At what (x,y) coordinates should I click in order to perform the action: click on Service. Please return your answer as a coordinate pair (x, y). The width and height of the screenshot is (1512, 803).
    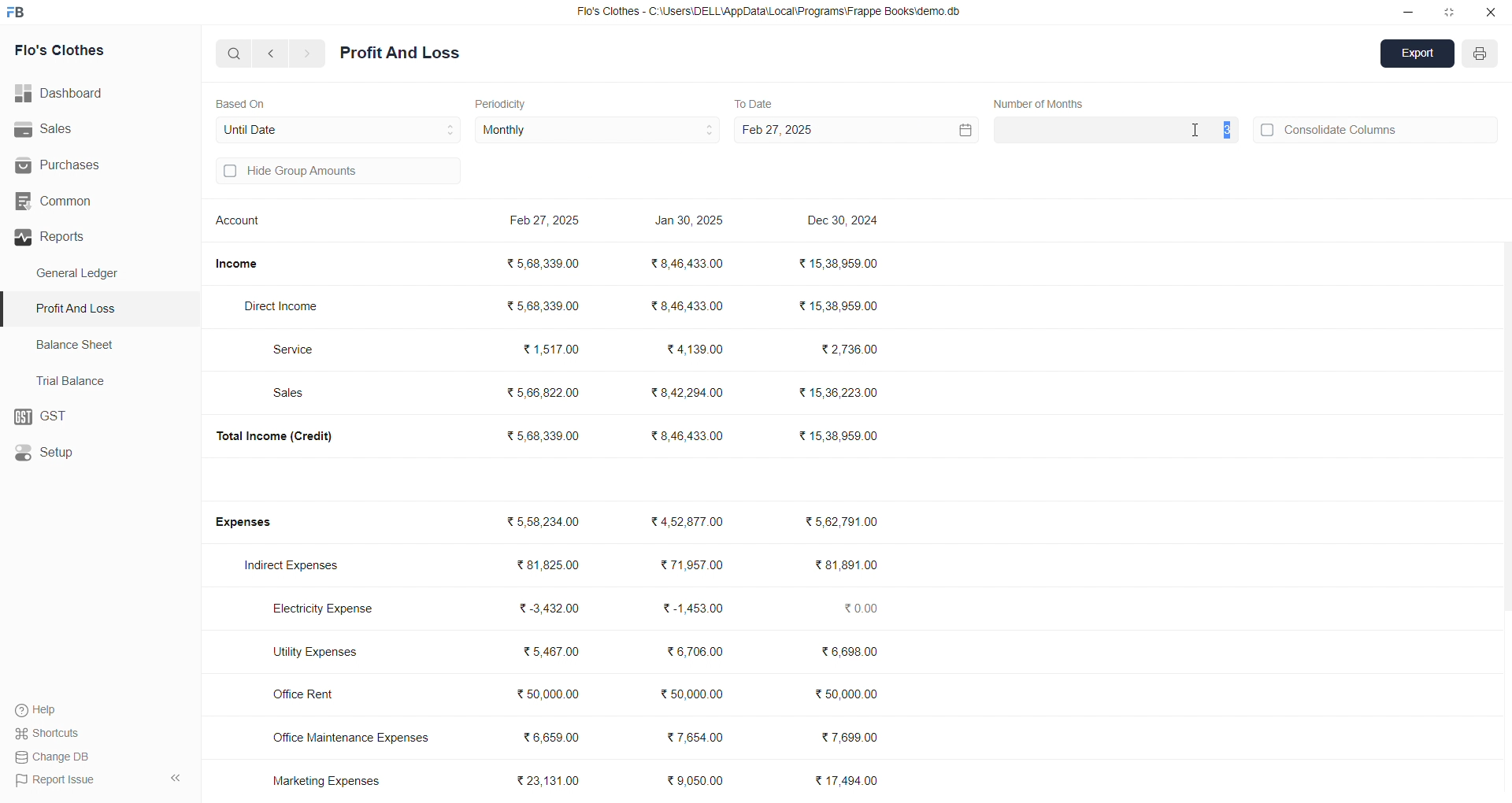
    Looking at the image, I should click on (302, 349).